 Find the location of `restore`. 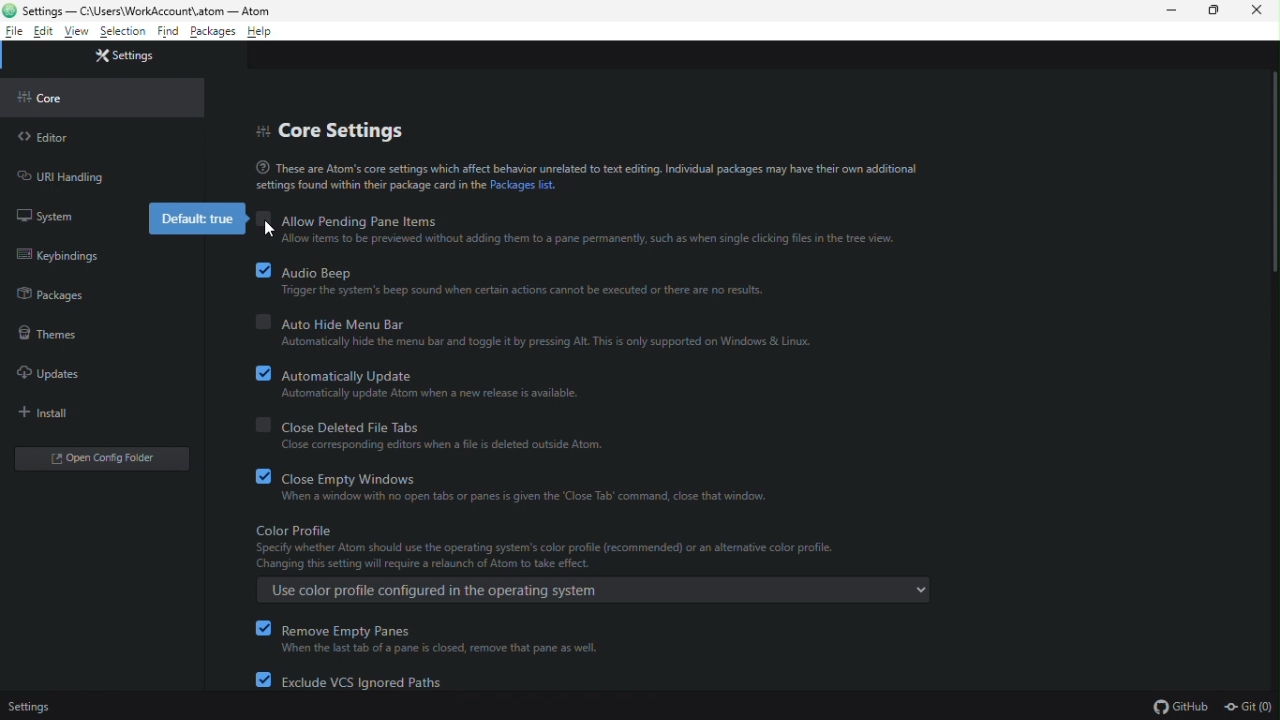

restore is located at coordinates (1217, 11).